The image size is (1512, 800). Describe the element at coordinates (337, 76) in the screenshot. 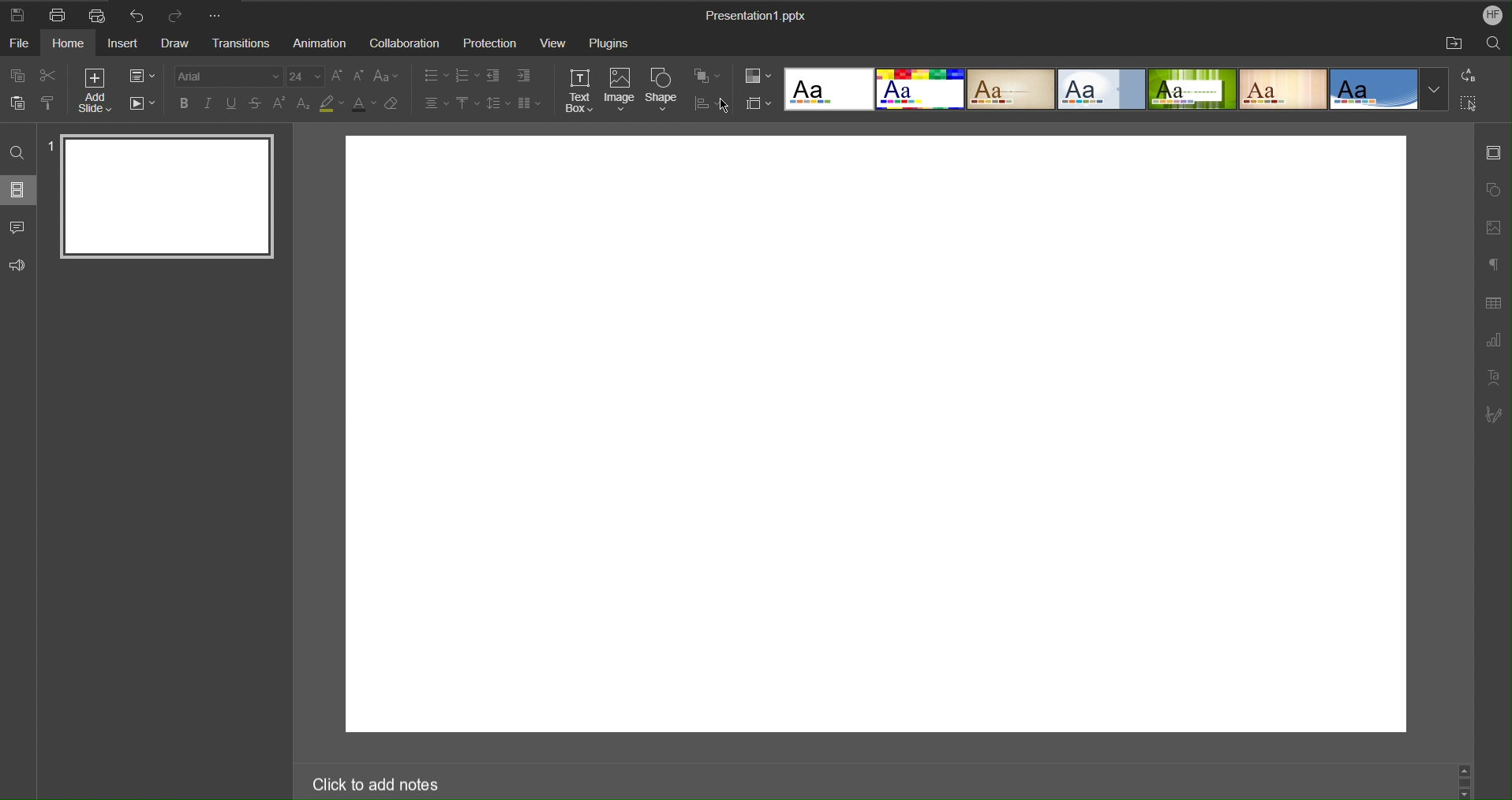

I see `Increase Size` at that location.